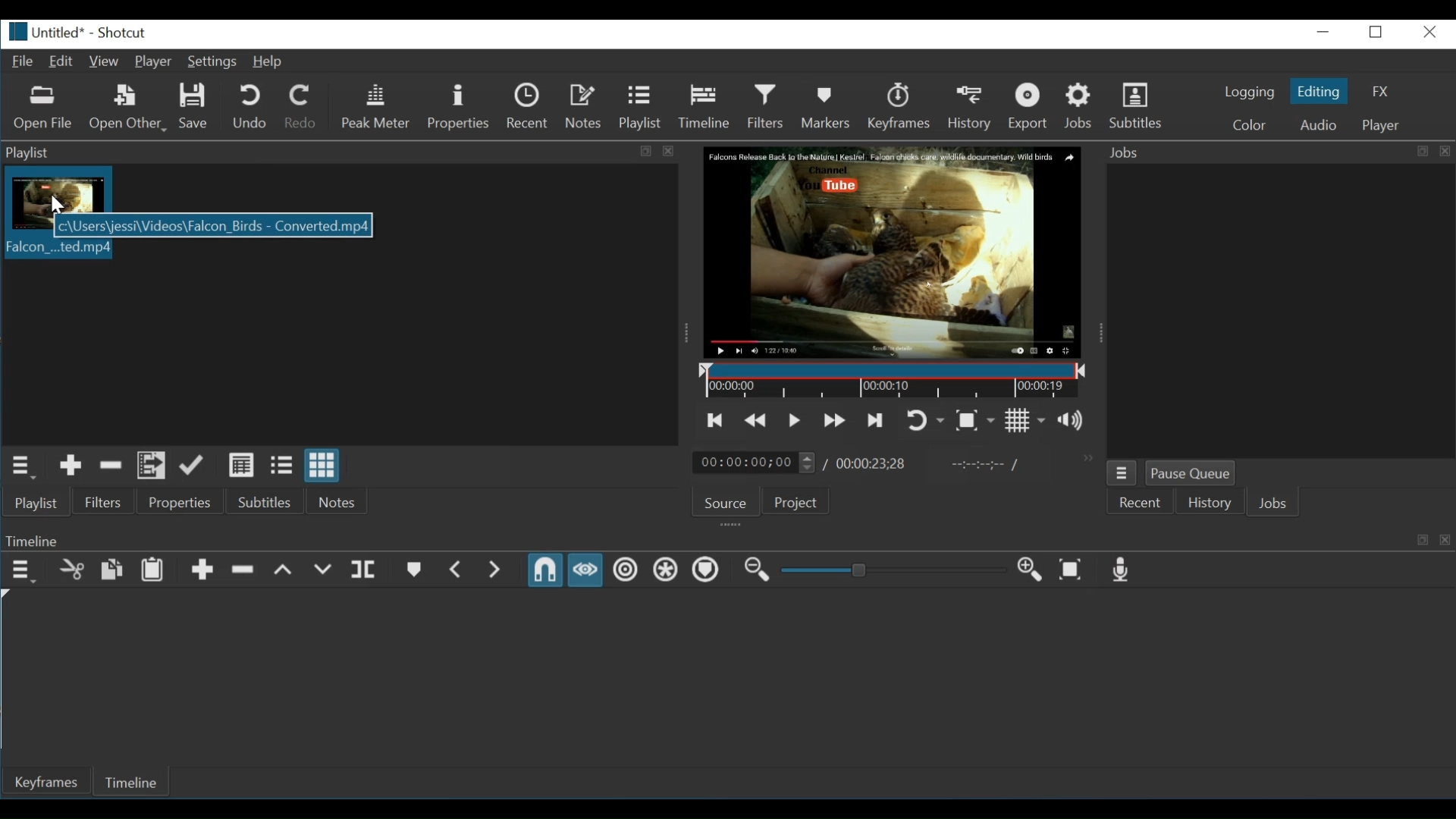  Describe the element at coordinates (242, 466) in the screenshot. I see `View as detail` at that location.